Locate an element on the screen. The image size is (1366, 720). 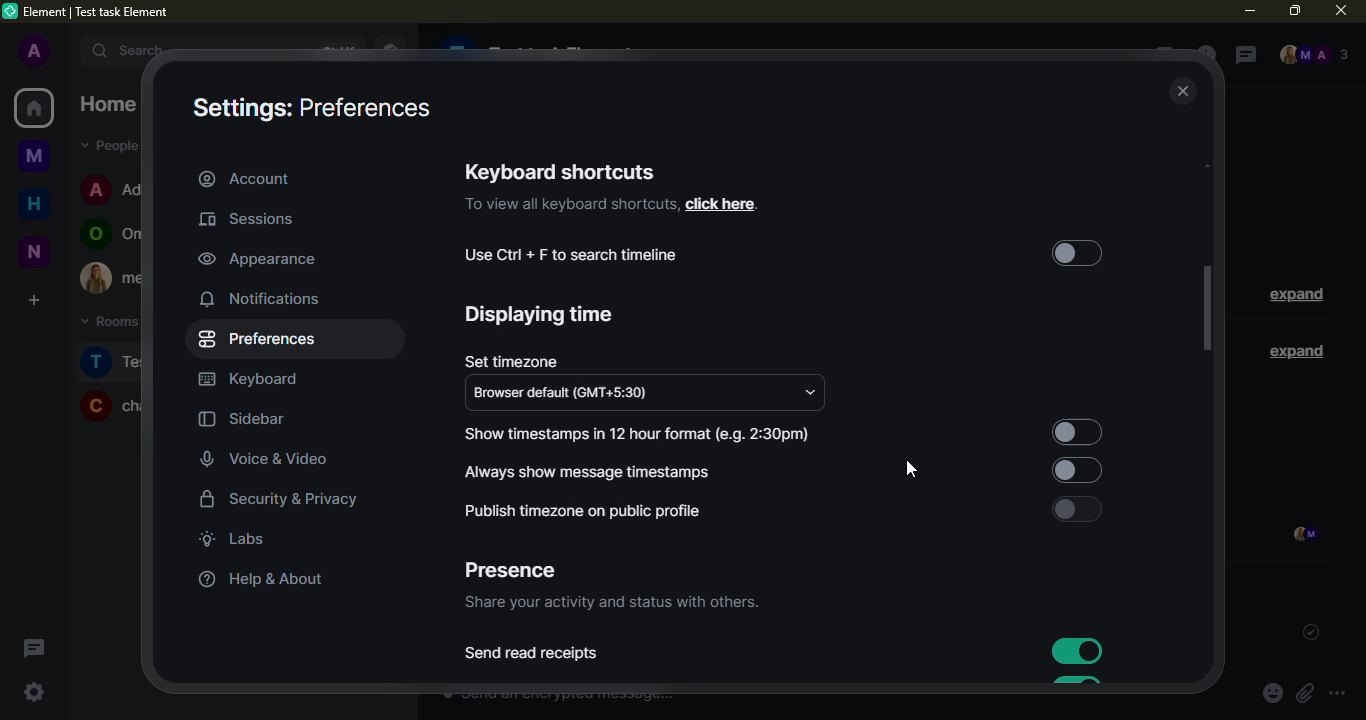
preferences is located at coordinates (261, 339).